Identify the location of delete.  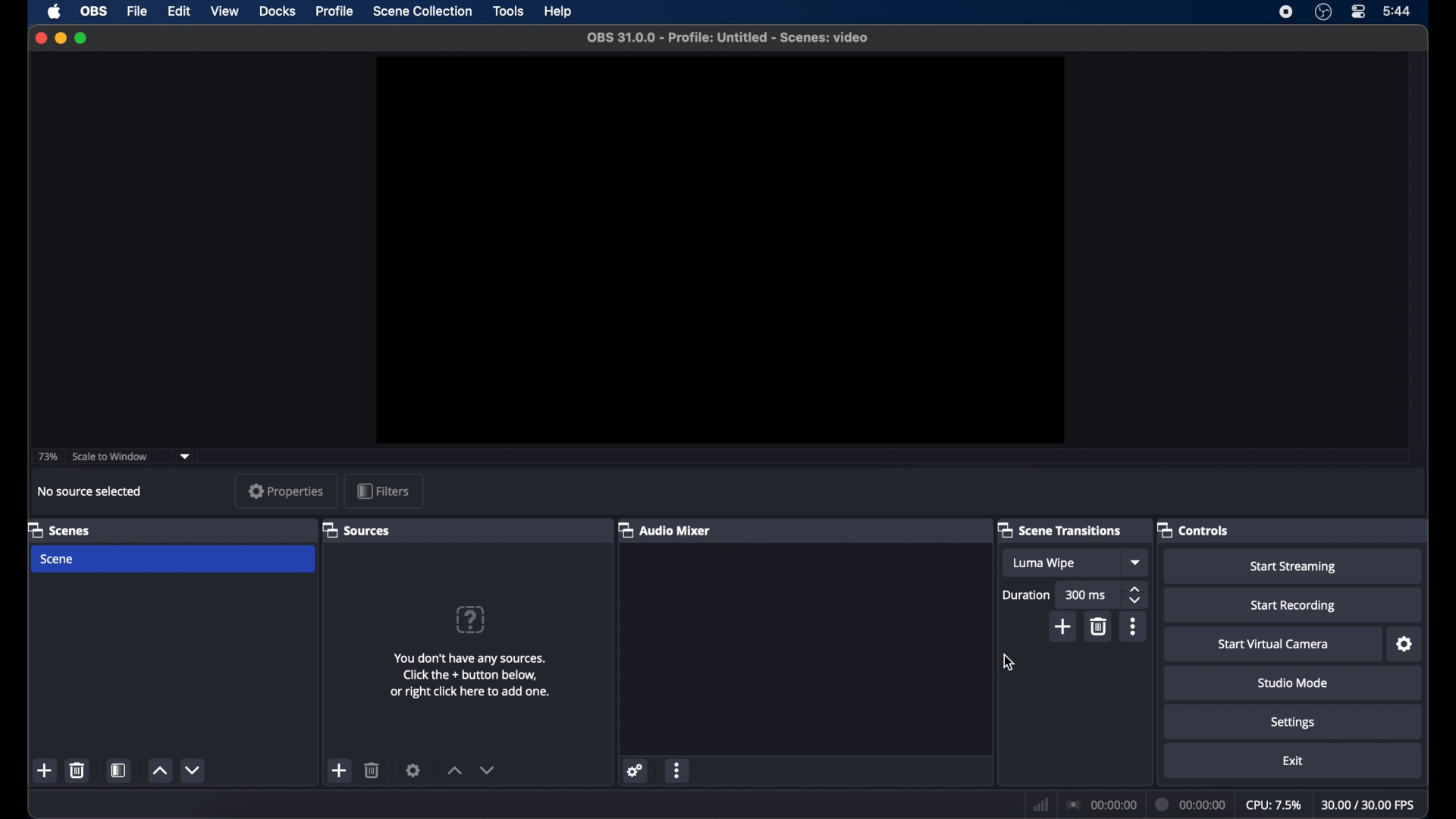
(1100, 625).